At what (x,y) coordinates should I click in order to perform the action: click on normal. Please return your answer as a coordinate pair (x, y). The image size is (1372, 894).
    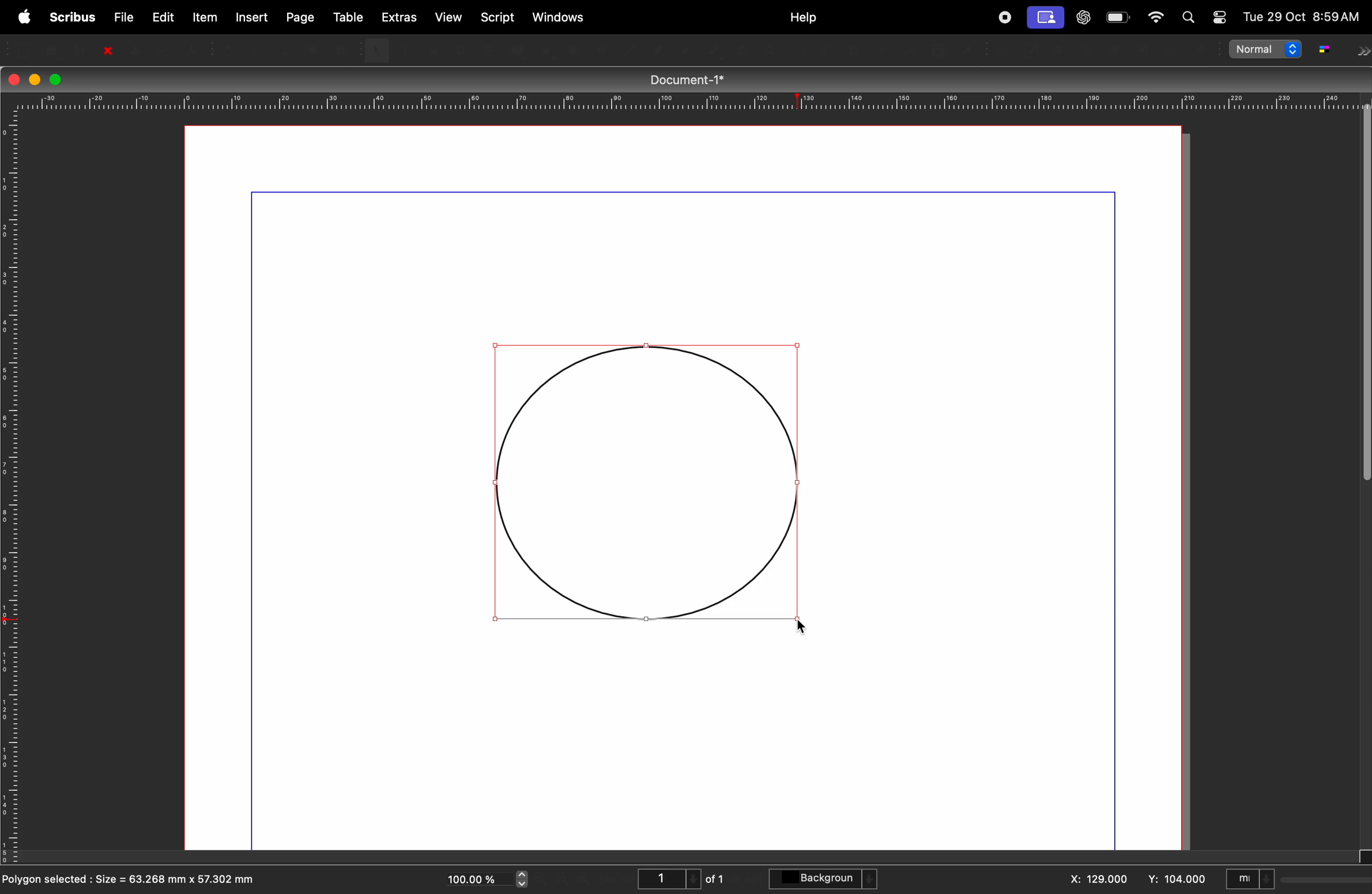
    Looking at the image, I should click on (1265, 52).